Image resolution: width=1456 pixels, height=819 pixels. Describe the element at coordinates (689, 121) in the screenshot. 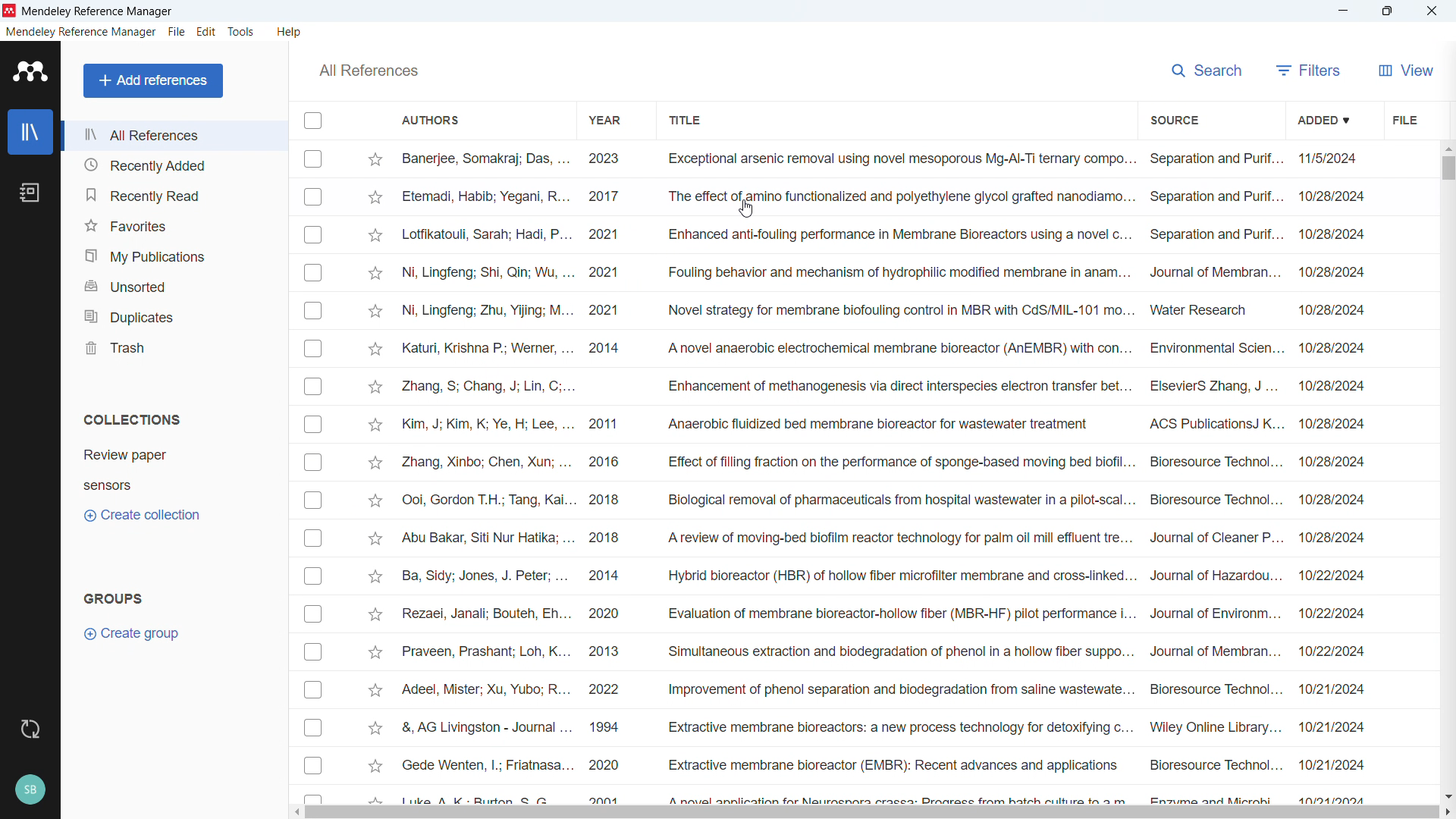

I see `Sort by titles ` at that location.